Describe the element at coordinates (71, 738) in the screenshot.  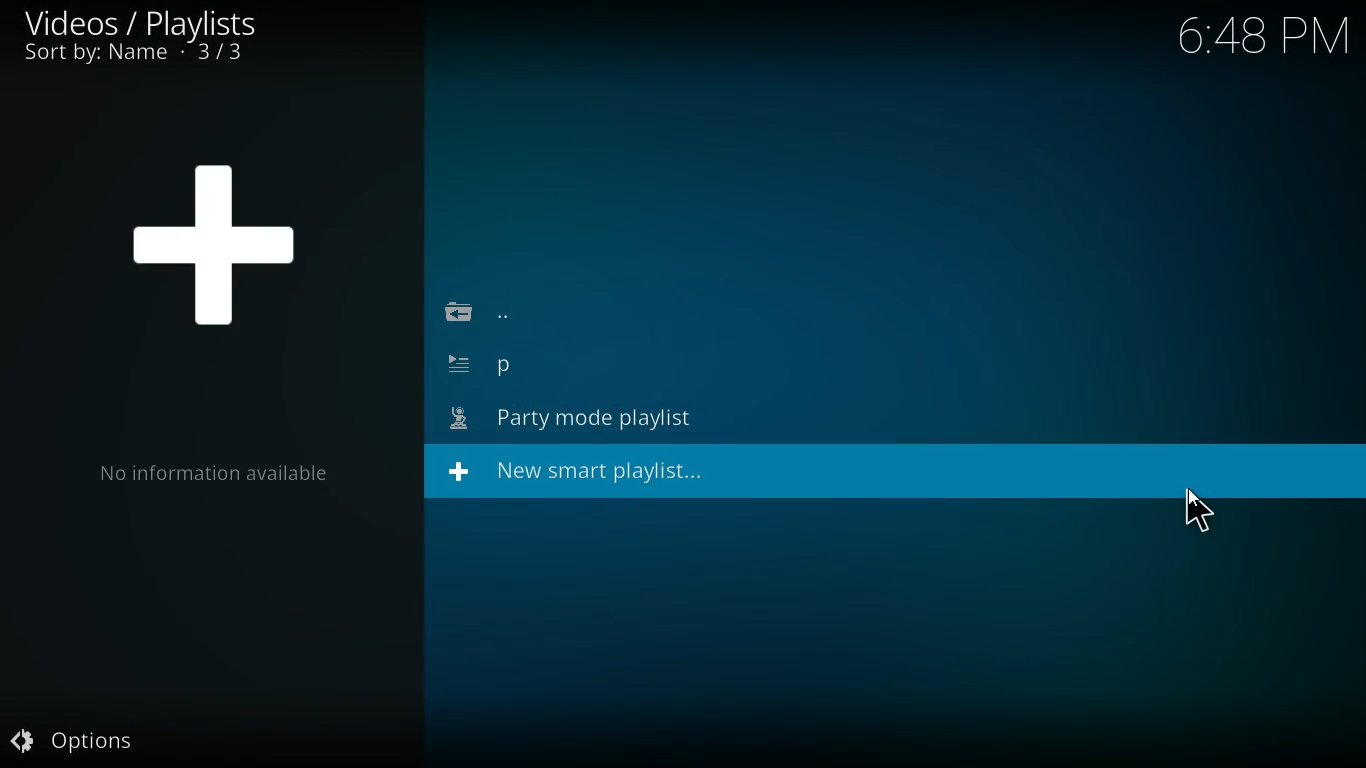
I see `options` at that location.